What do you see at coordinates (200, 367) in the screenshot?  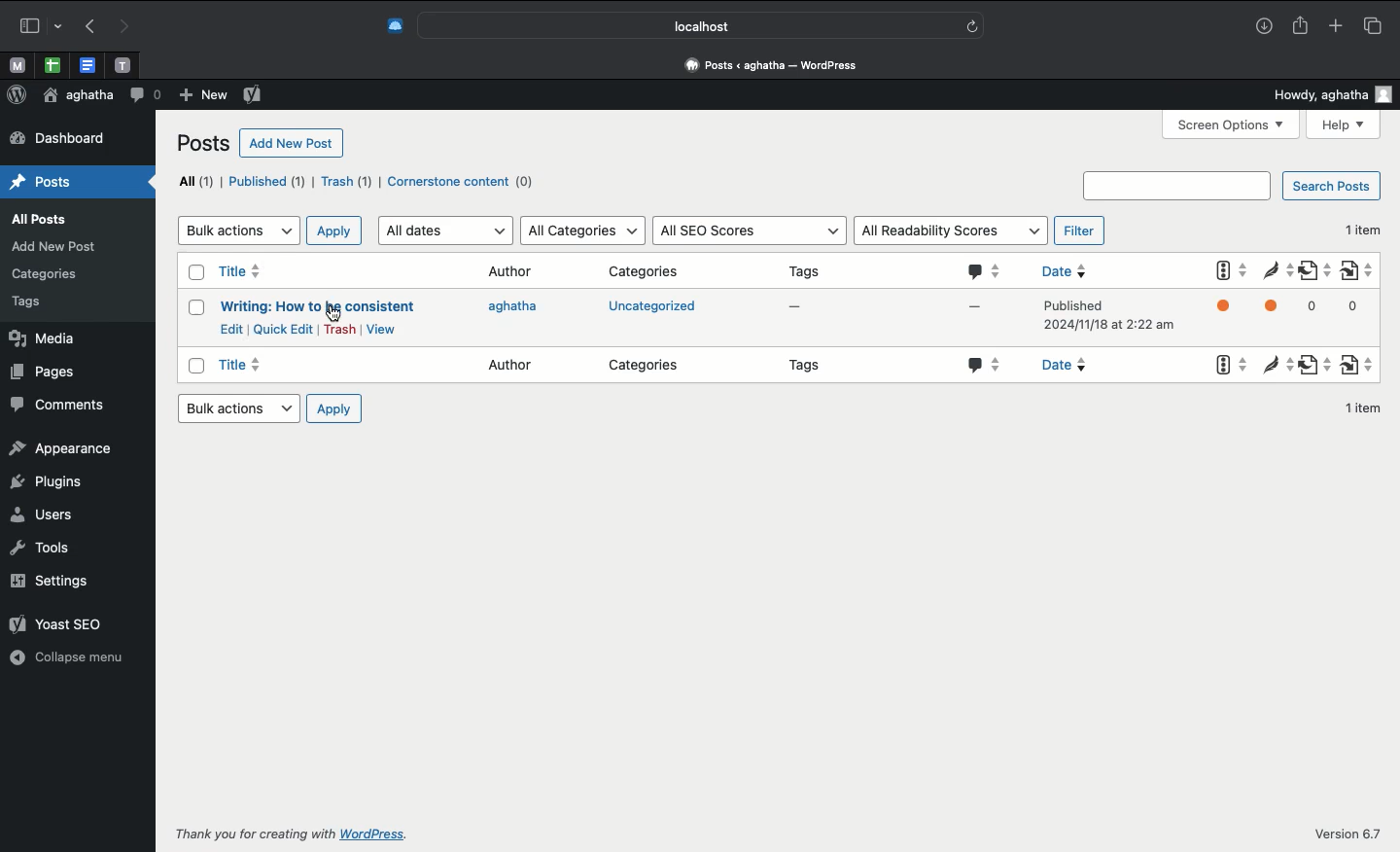 I see `Checkbox` at bounding box center [200, 367].